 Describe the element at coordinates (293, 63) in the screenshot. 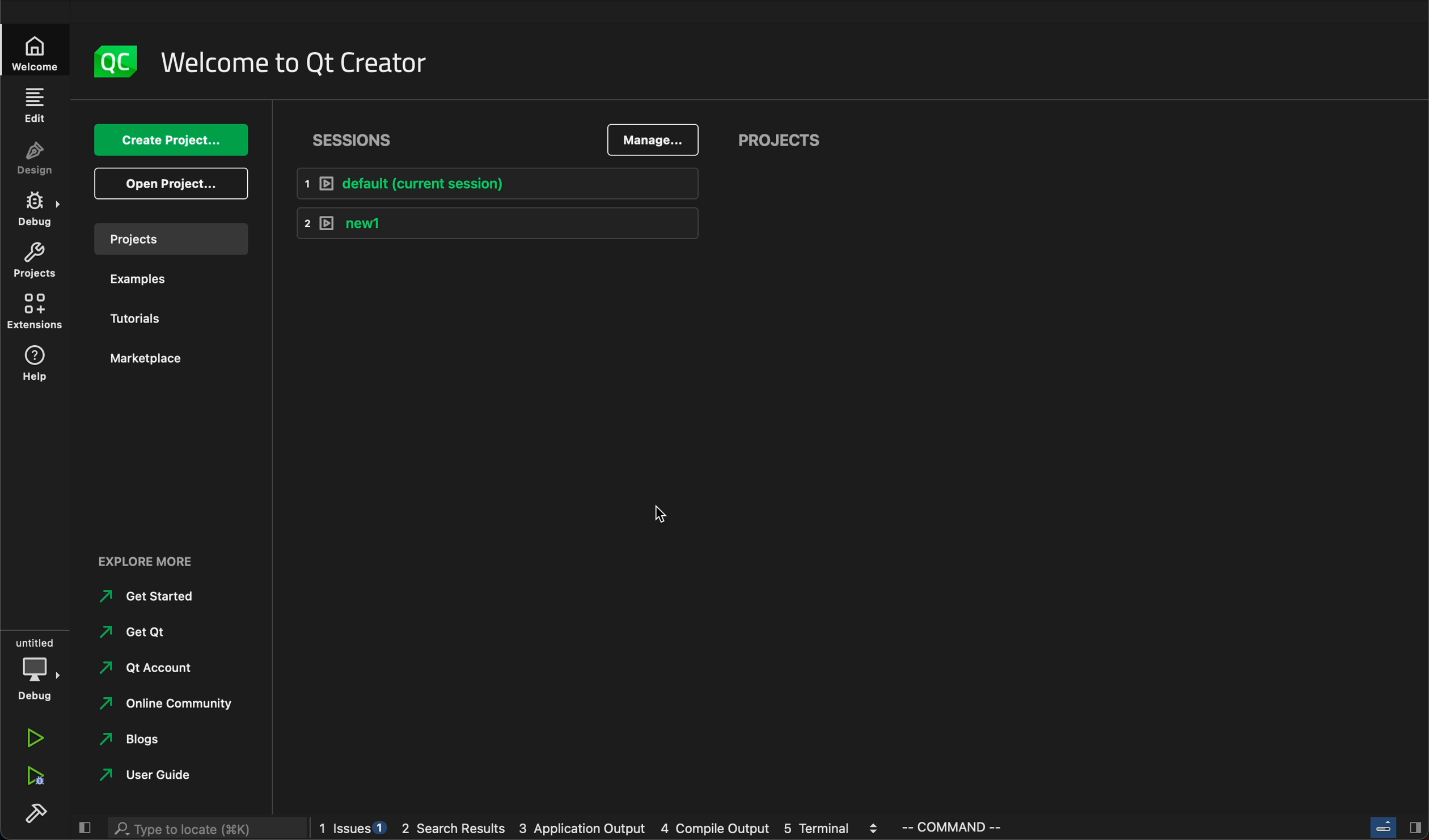

I see `welcome` at that location.